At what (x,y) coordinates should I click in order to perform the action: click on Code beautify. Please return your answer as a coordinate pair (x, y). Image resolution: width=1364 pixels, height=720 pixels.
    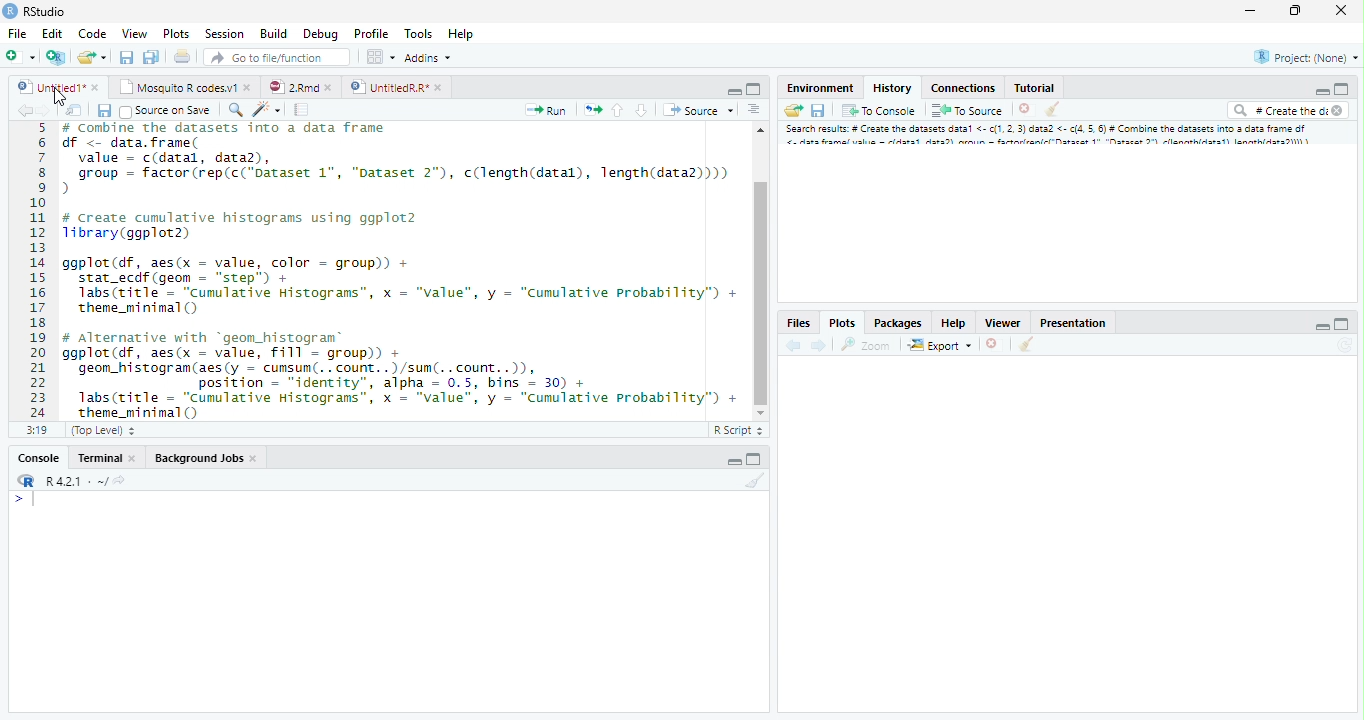
    Looking at the image, I should click on (269, 110).